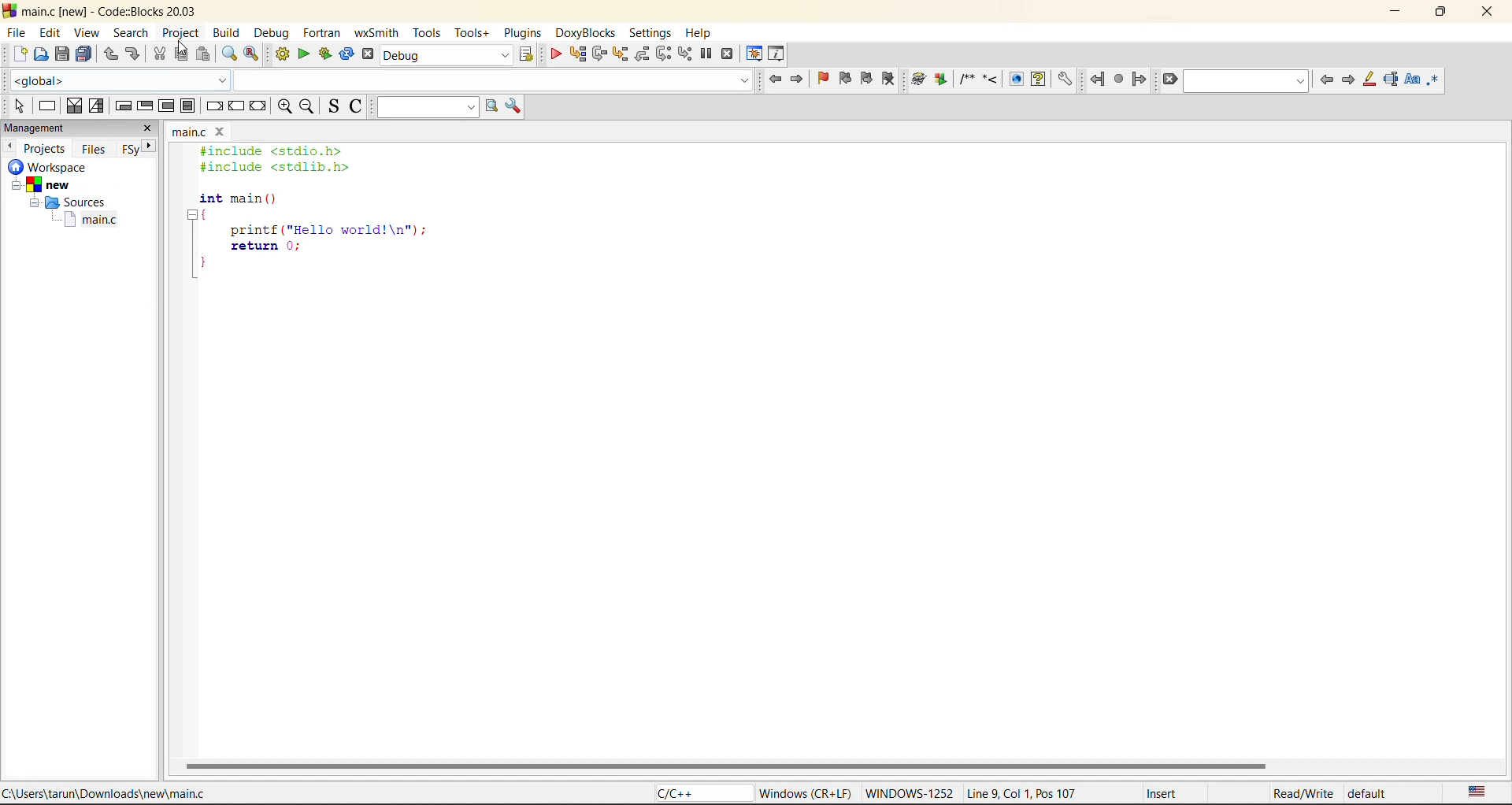 This screenshot has height=805, width=1512. I want to click on C/C++, so click(695, 793).